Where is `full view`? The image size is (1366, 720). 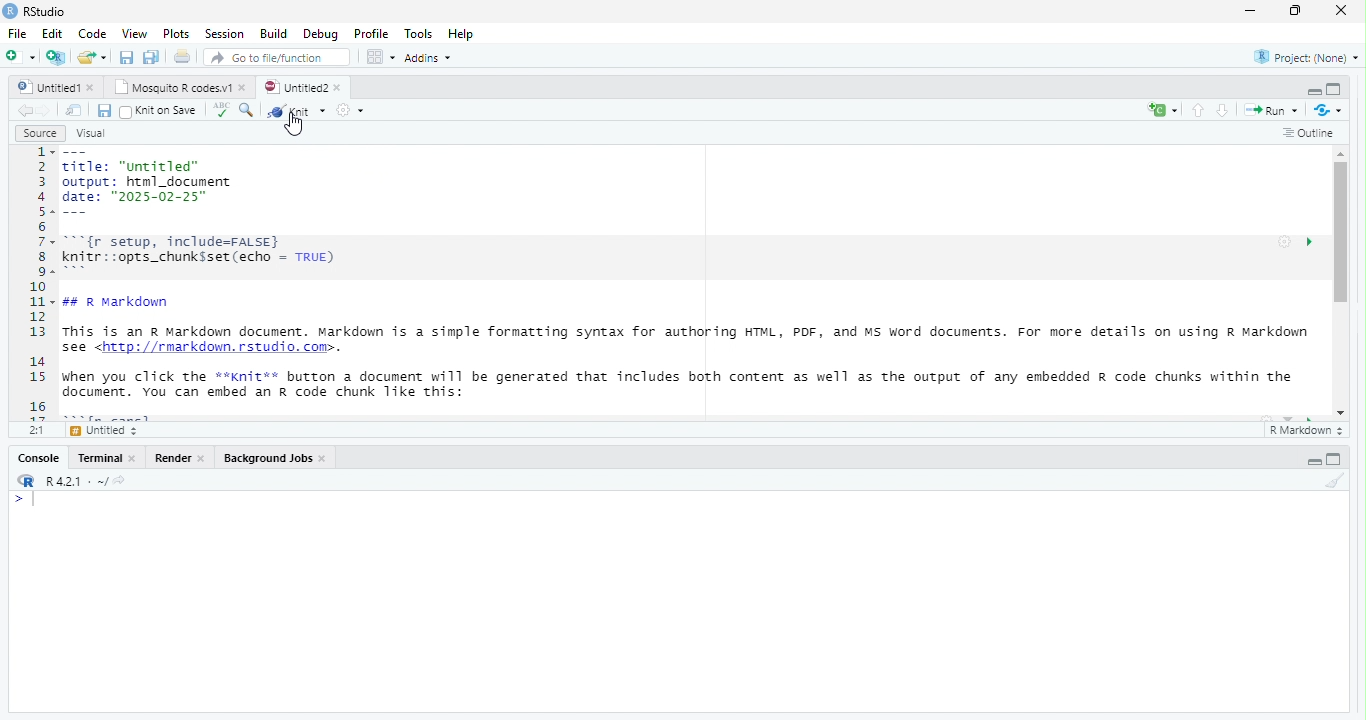 full view is located at coordinates (1334, 89).